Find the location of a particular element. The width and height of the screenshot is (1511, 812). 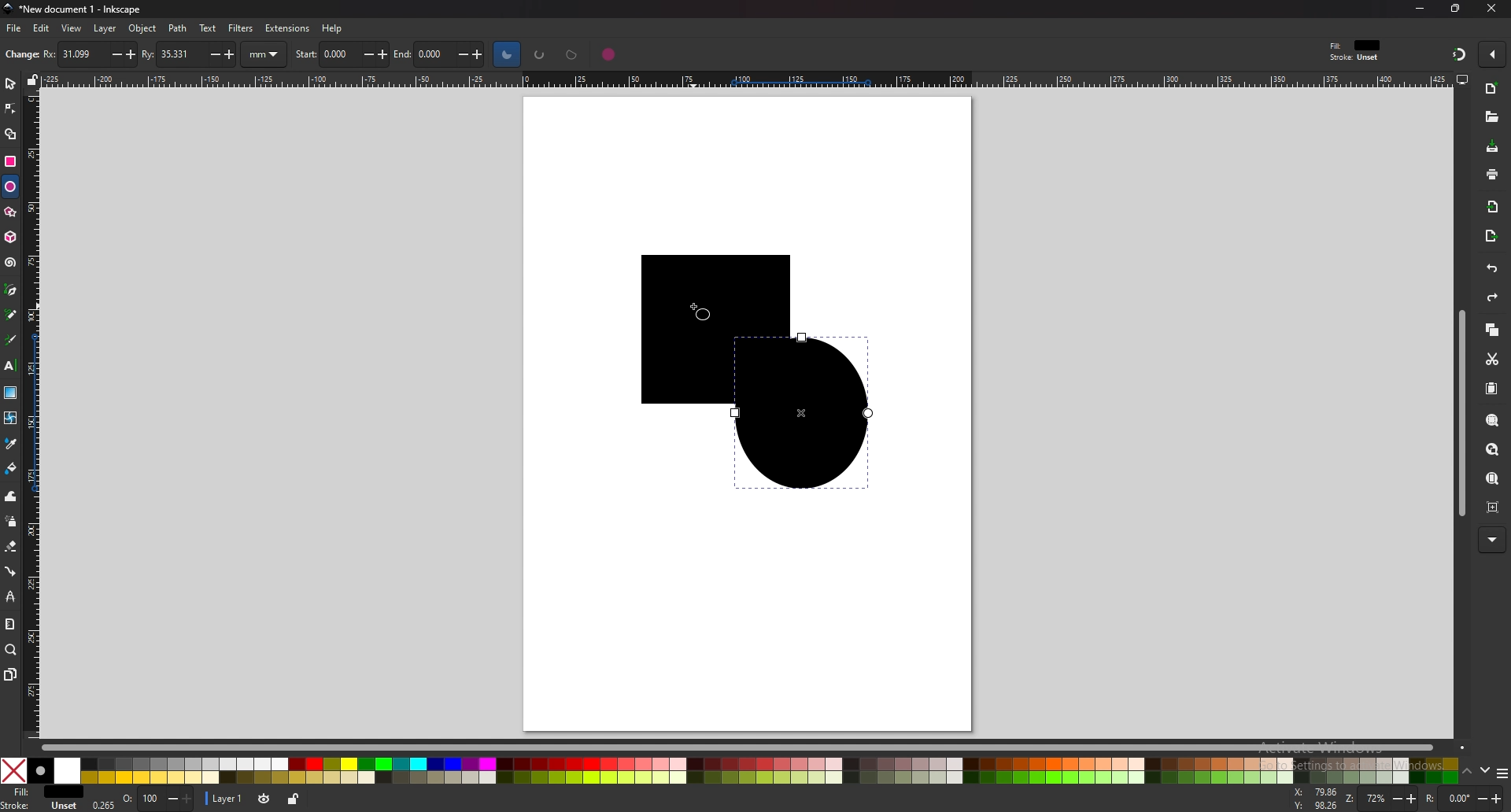

end is located at coordinates (443, 55).